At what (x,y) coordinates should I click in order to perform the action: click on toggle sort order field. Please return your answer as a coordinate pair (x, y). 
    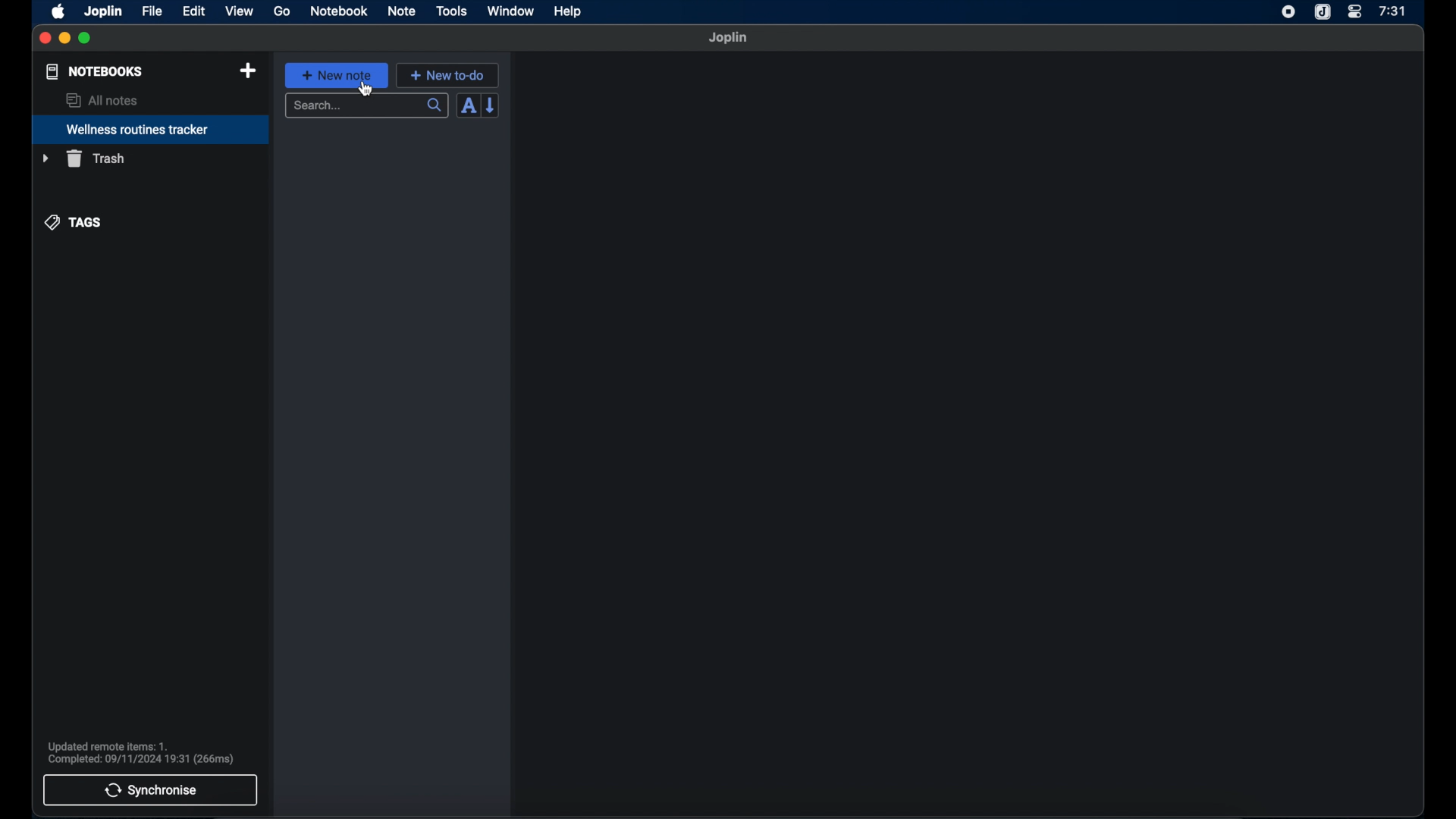
    Looking at the image, I should click on (468, 105).